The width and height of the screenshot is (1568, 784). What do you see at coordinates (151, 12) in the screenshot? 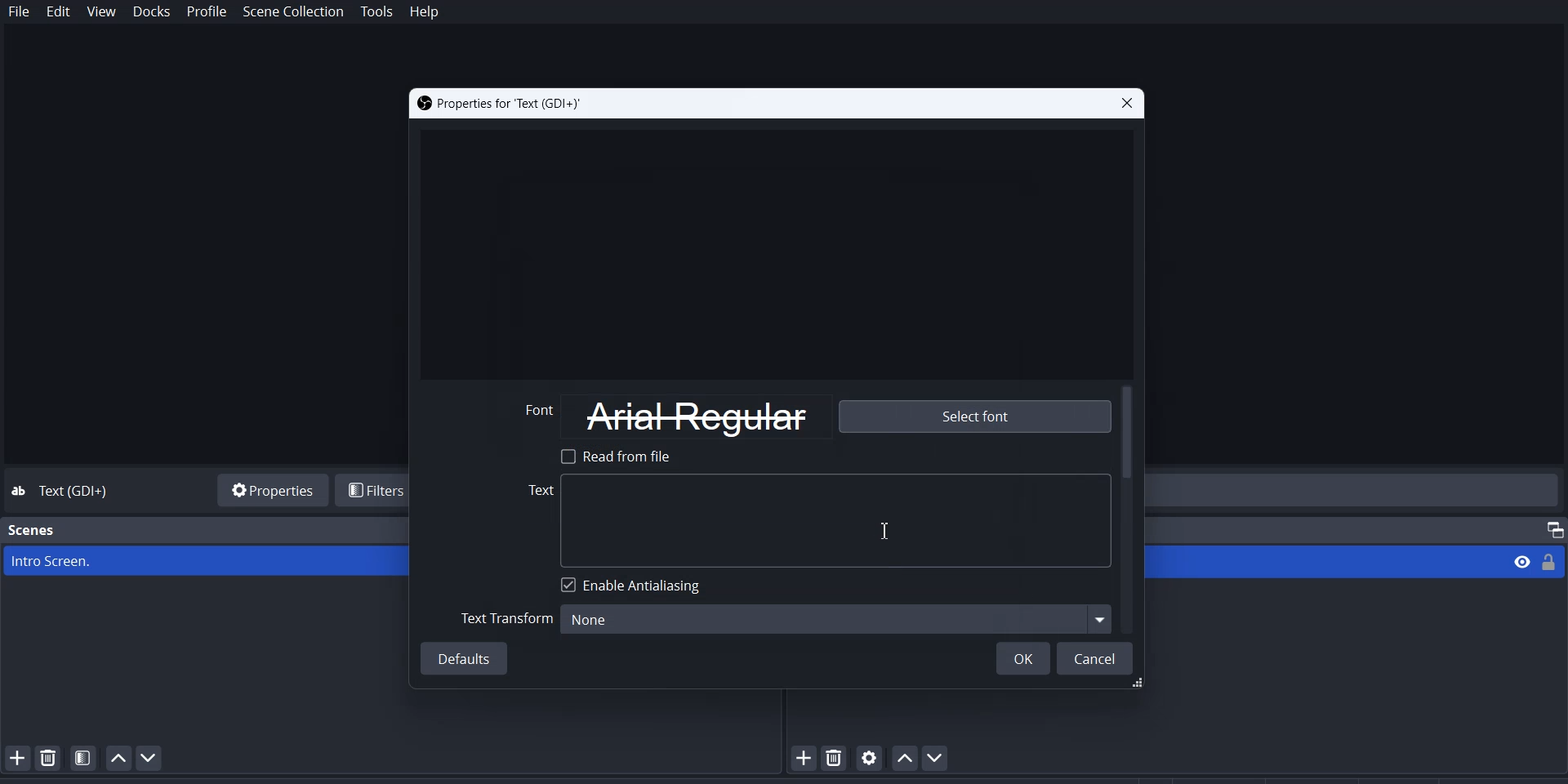
I see `Docks` at bounding box center [151, 12].